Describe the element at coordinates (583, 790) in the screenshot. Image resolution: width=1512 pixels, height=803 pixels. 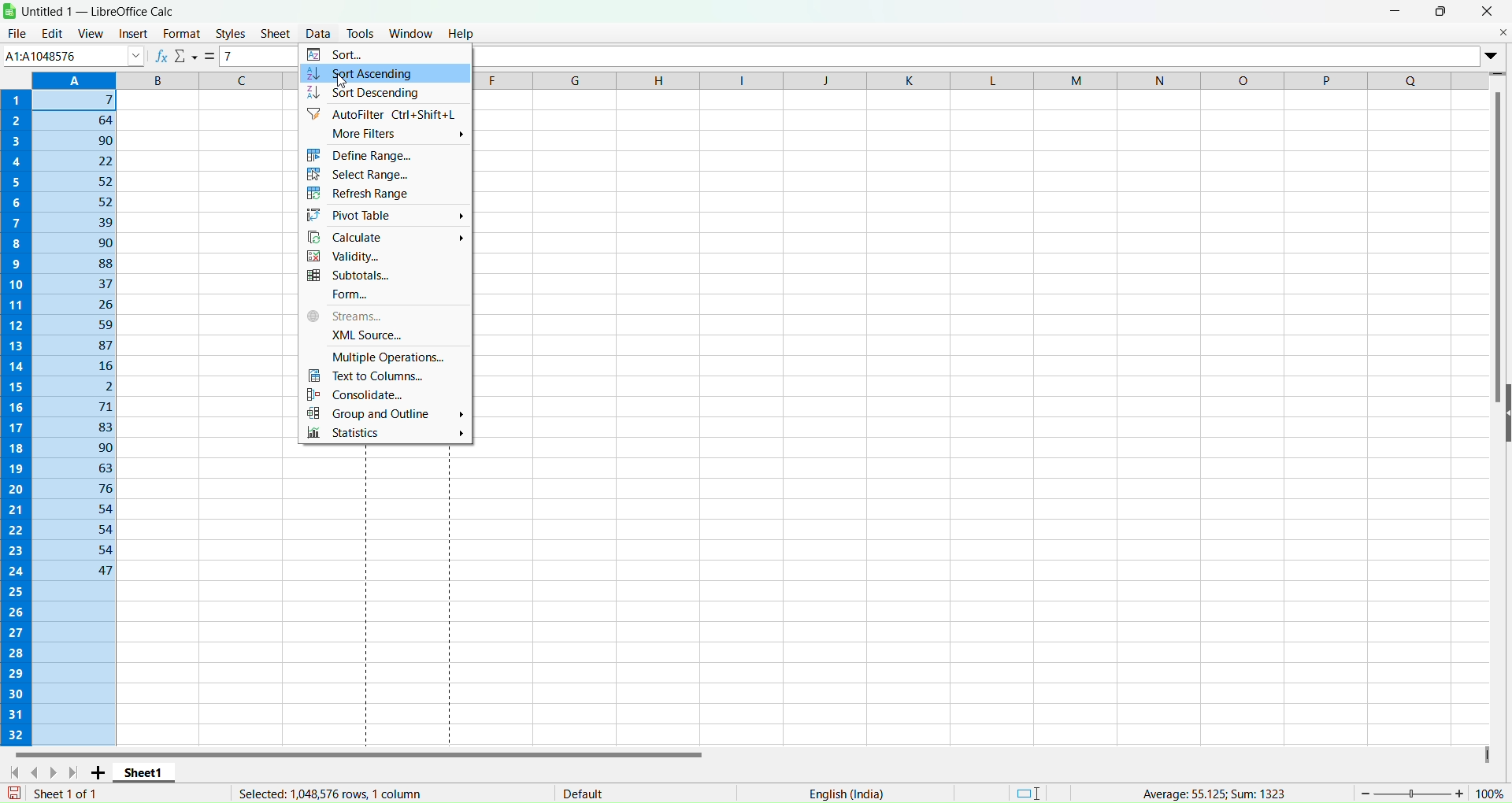
I see `Default` at that location.